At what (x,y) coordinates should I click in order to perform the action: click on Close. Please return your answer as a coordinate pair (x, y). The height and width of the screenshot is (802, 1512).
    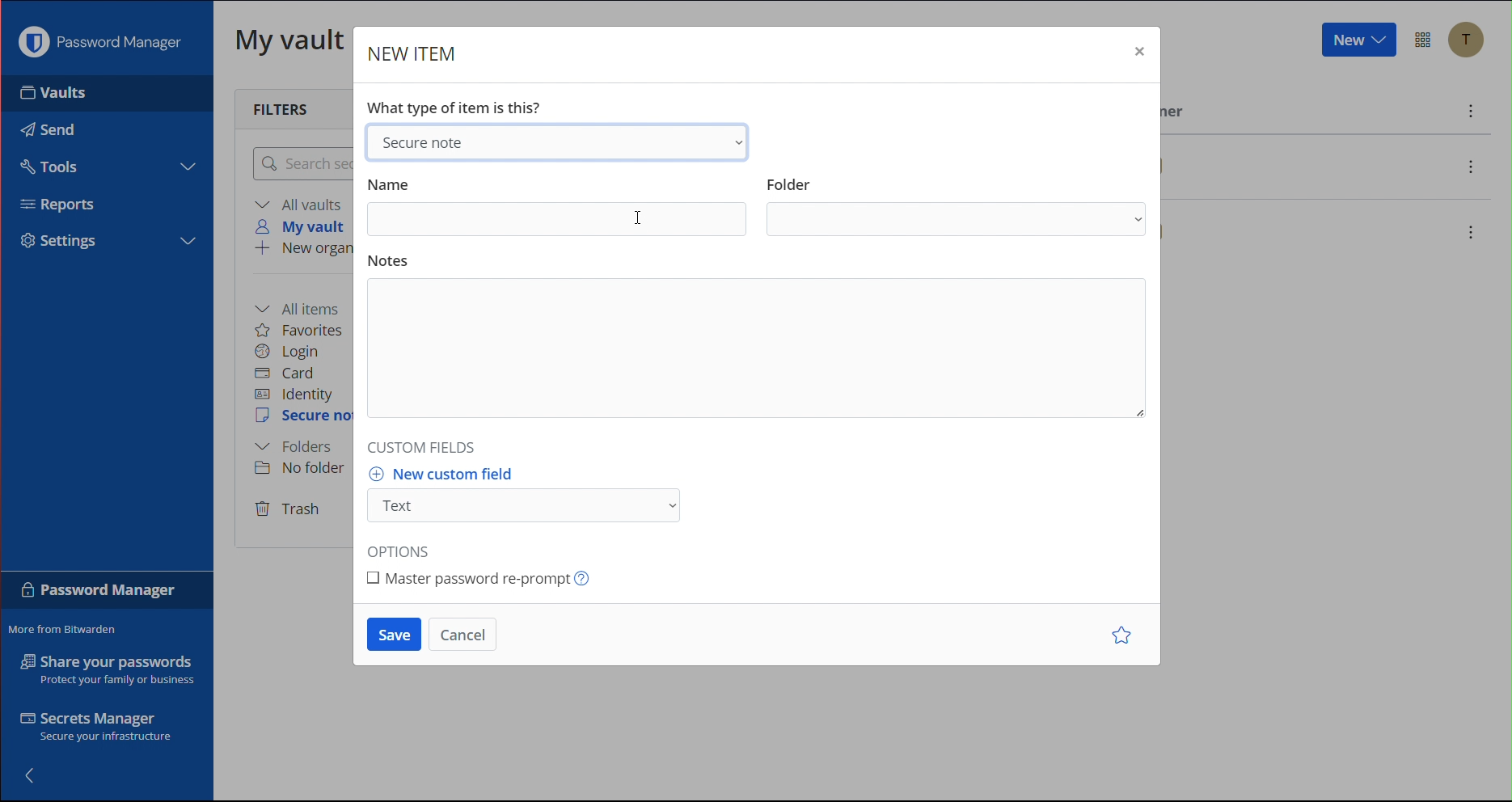
    Looking at the image, I should click on (1138, 50).